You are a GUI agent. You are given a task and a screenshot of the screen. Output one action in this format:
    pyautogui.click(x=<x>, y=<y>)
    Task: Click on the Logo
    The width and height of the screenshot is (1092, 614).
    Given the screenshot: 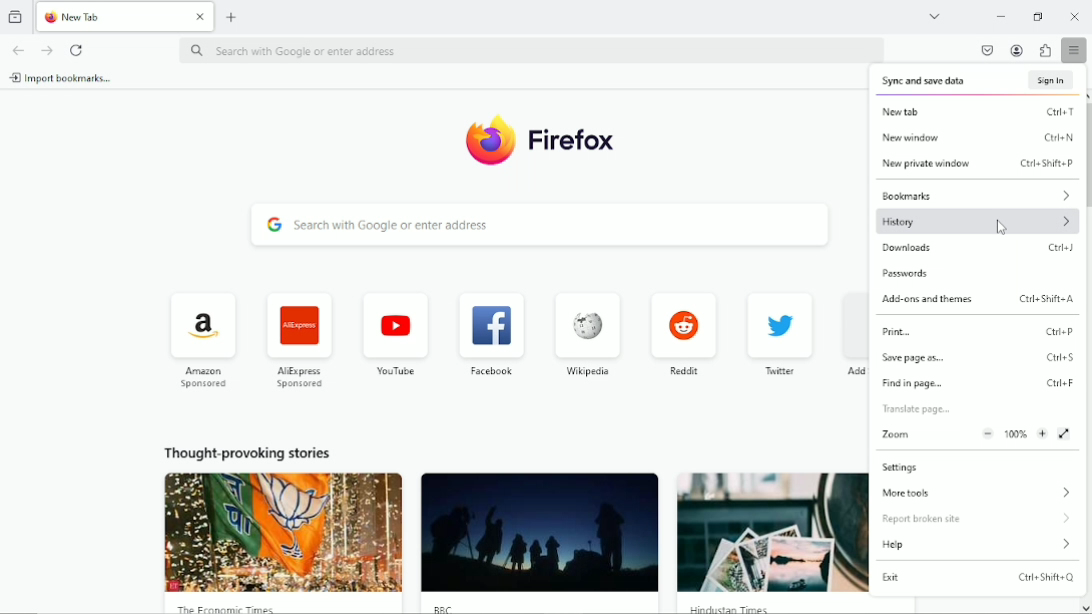 What is the action you would take?
    pyautogui.click(x=492, y=138)
    